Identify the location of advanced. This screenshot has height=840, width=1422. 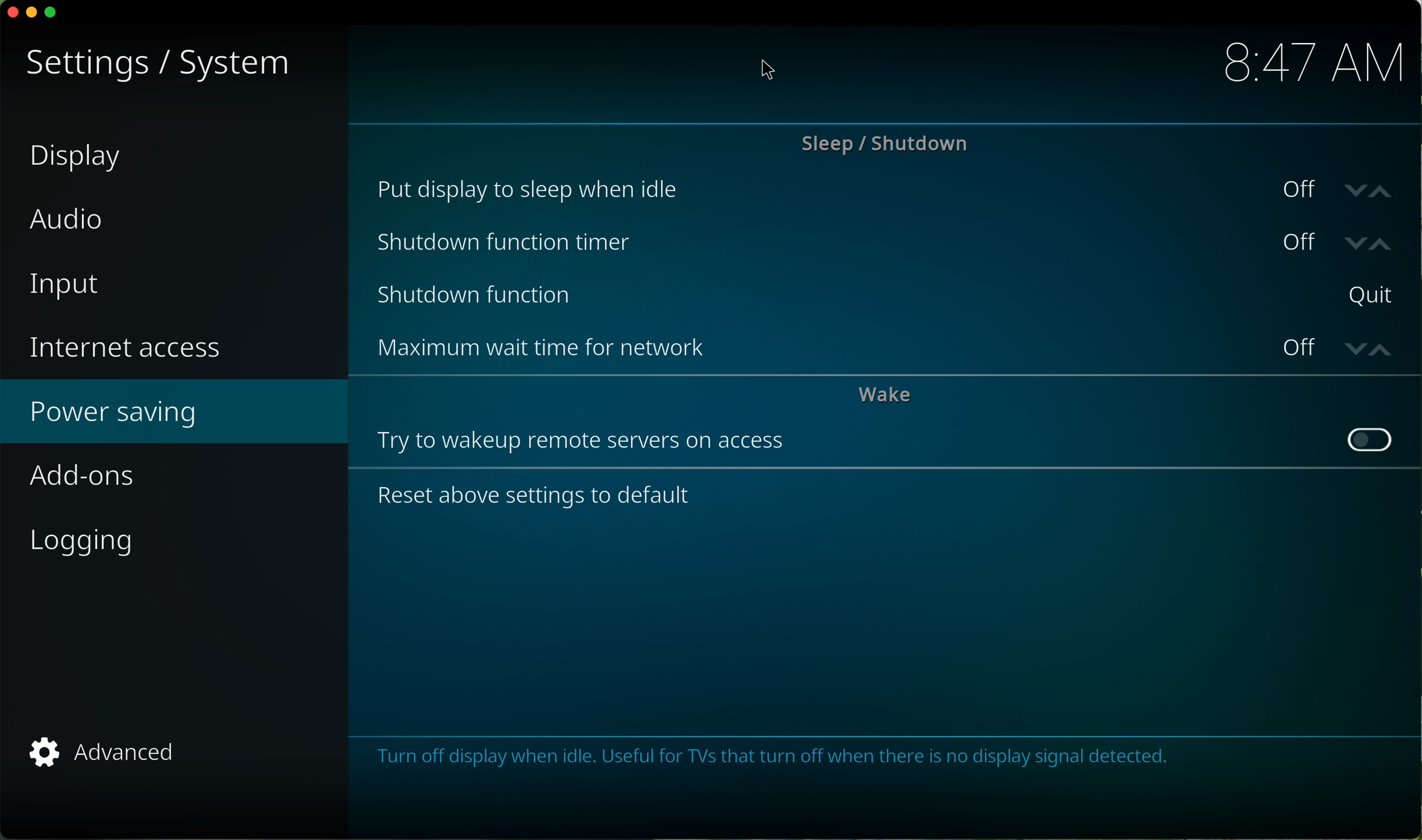
(105, 752).